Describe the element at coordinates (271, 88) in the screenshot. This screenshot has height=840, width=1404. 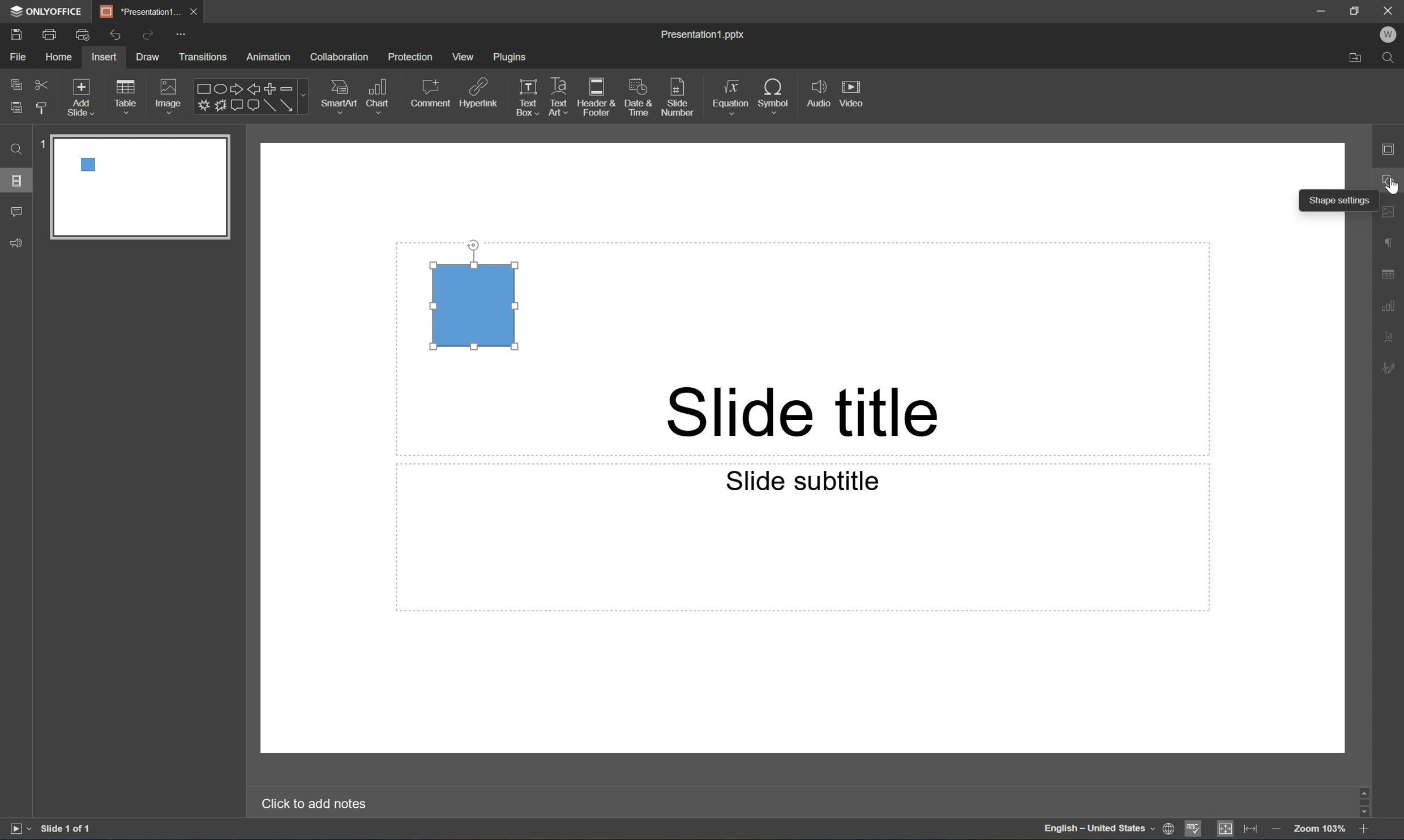
I see `Plus` at that location.